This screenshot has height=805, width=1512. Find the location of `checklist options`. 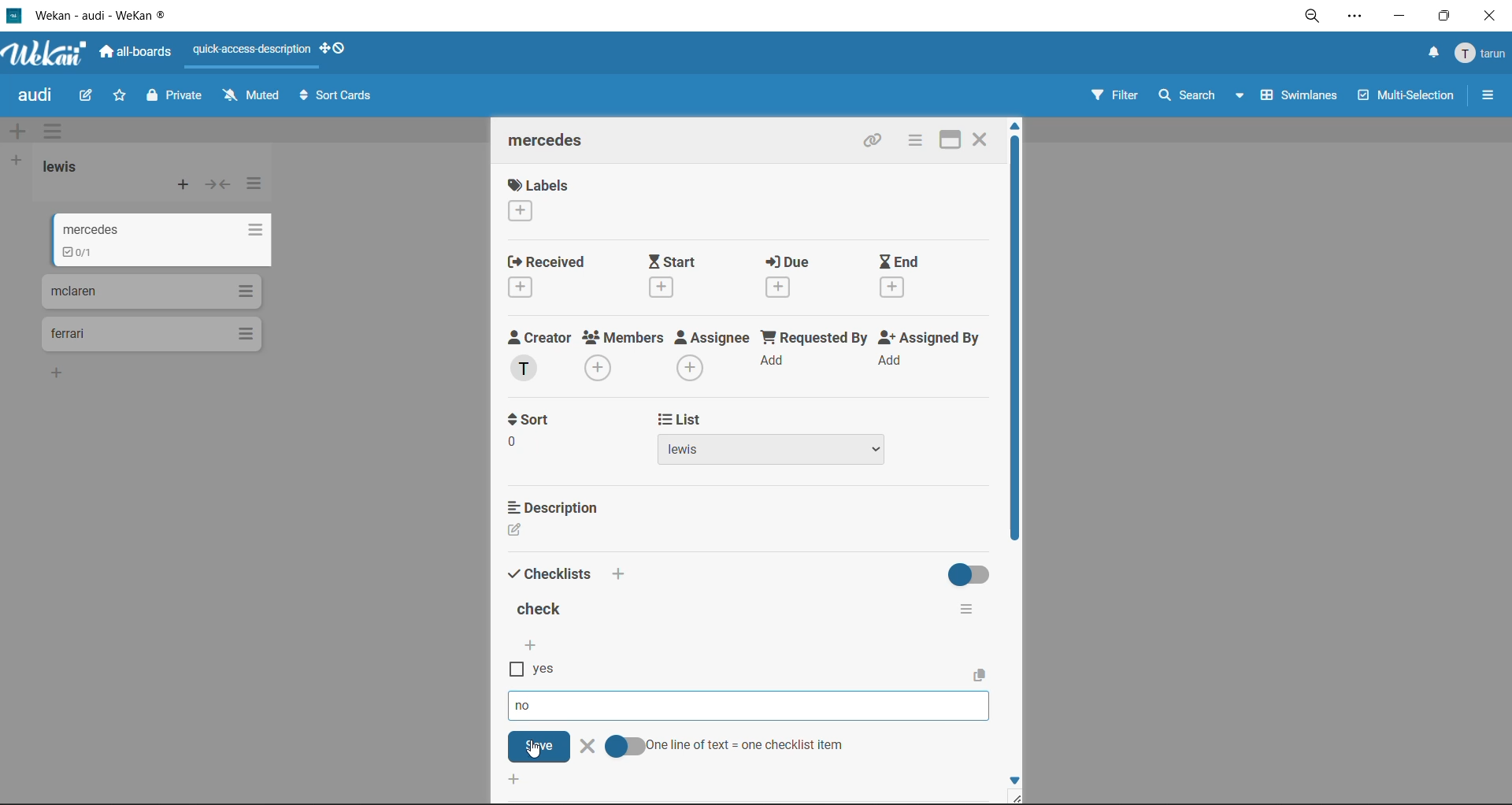

checklist options is located at coordinates (966, 606).